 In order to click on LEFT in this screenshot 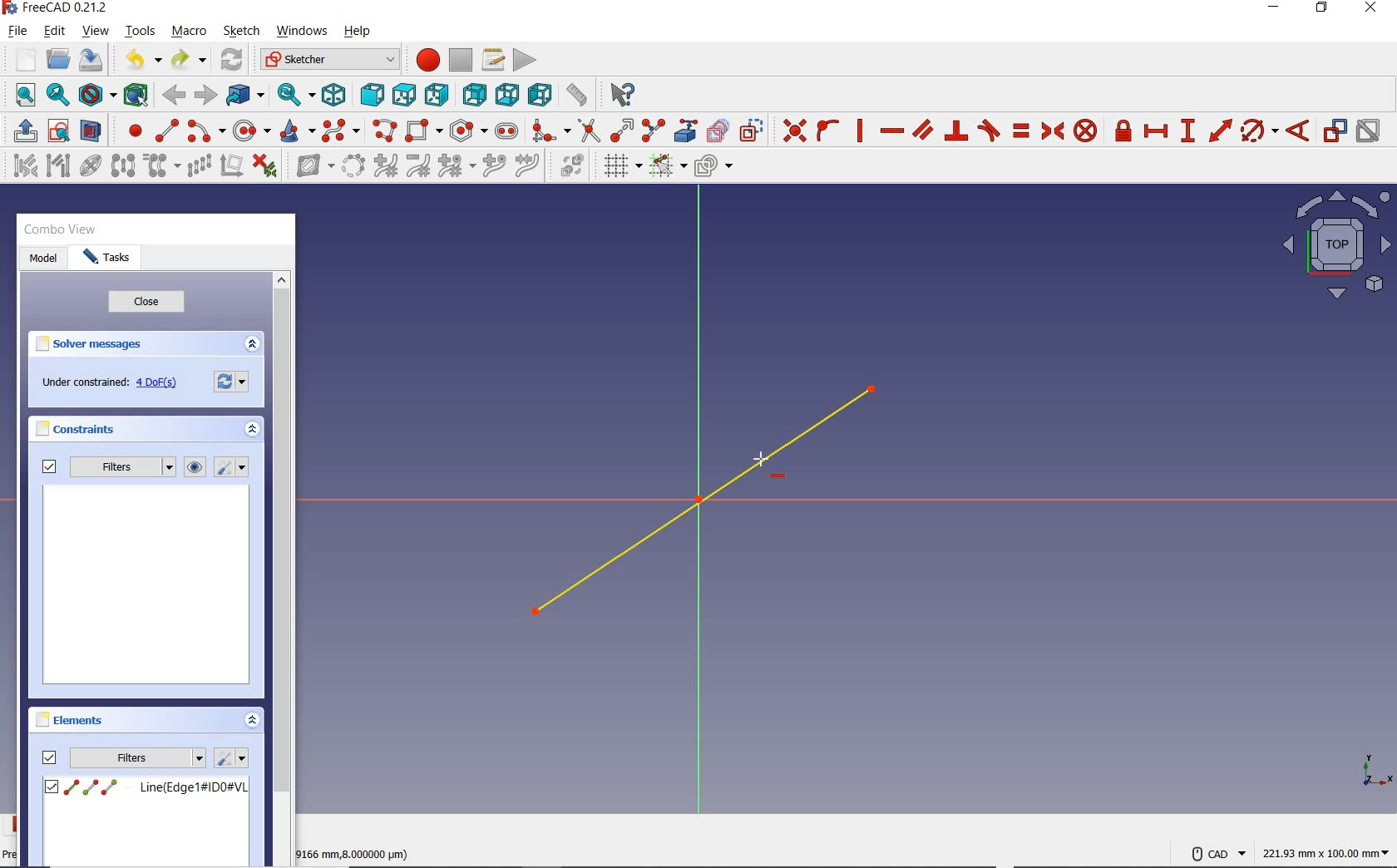, I will do `click(541, 96)`.